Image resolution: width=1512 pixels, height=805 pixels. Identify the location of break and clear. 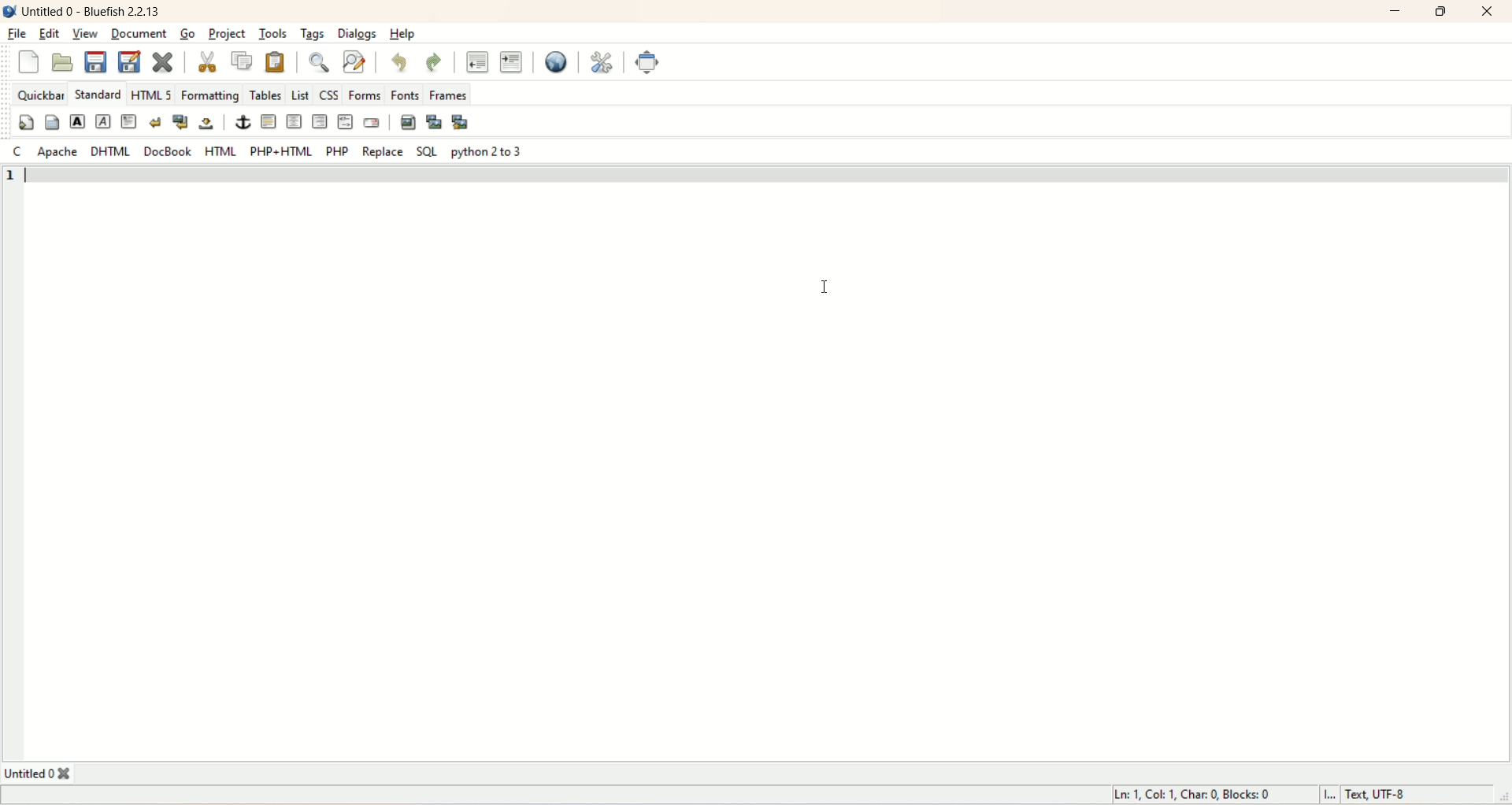
(179, 123).